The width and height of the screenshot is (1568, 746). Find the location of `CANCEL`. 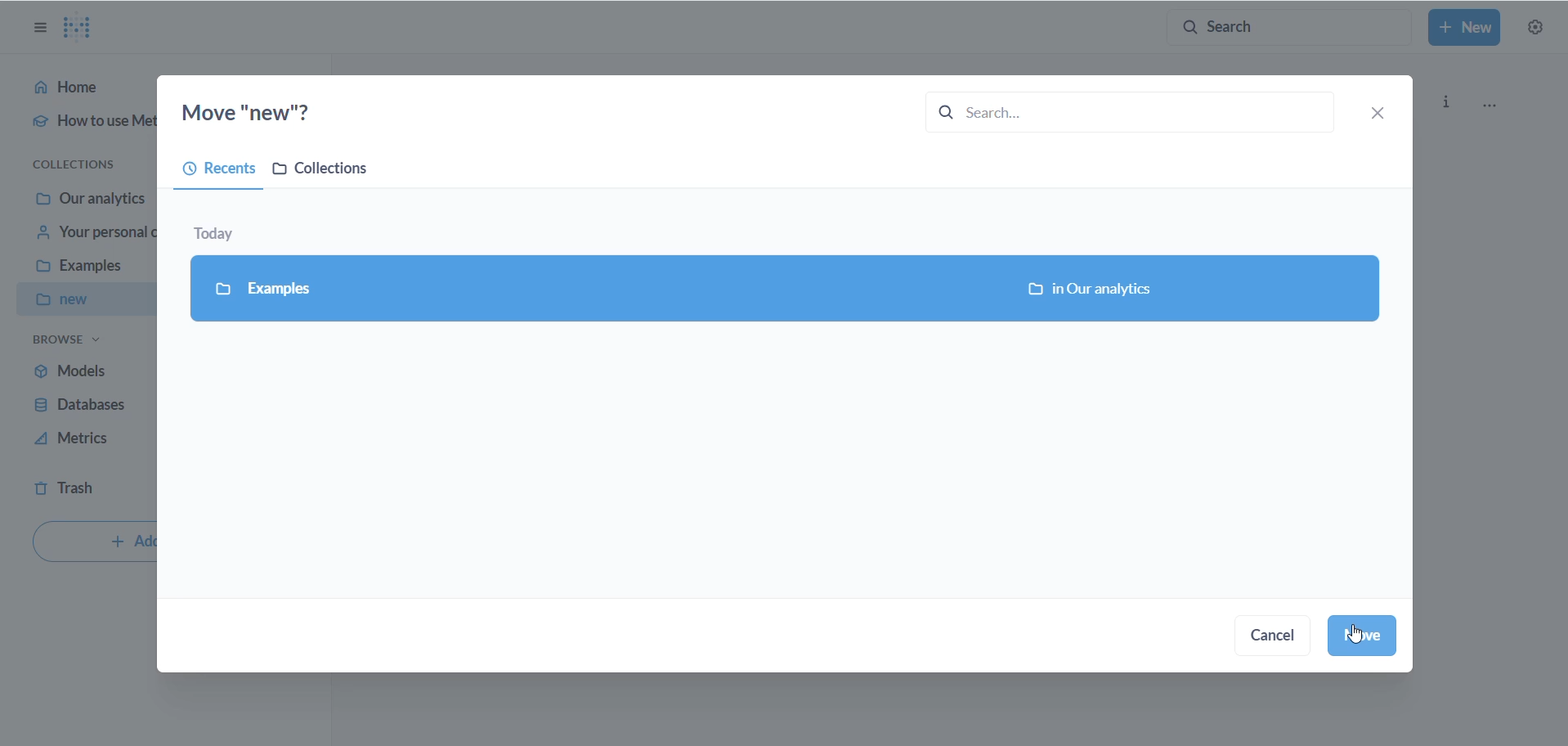

CANCEL is located at coordinates (1279, 639).